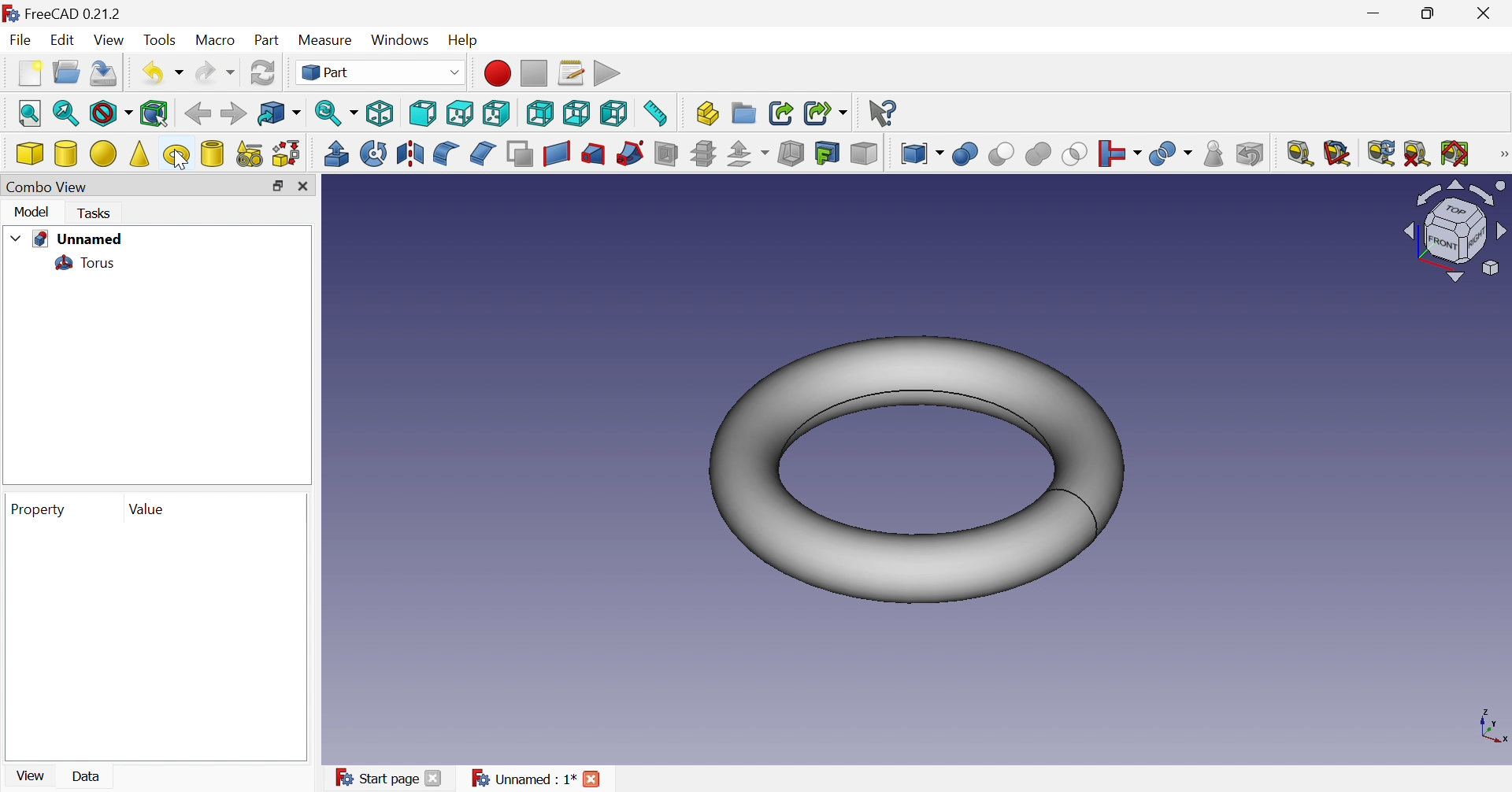 The height and width of the screenshot is (792, 1512). Describe the element at coordinates (433, 779) in the screenshot. I see `Close` at that location.